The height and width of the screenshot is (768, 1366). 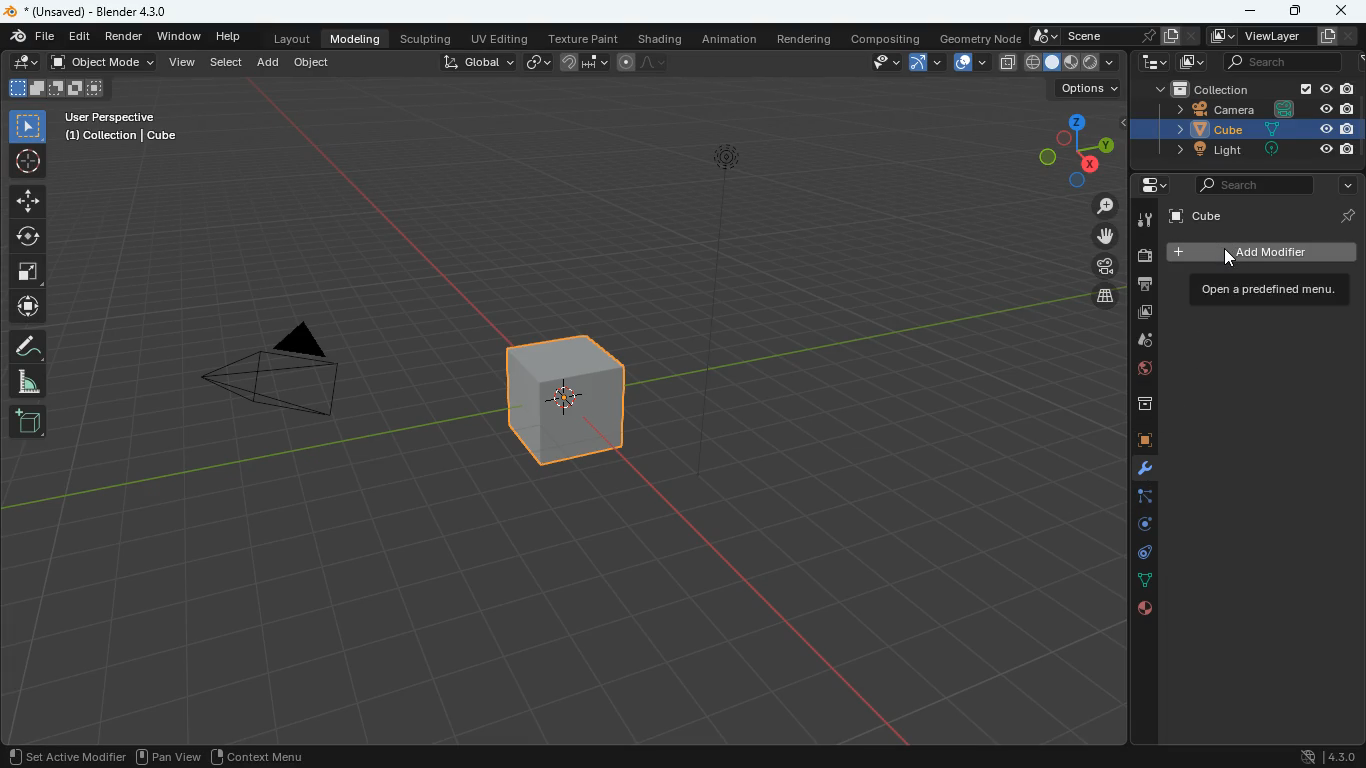 I want to click on zoom, so click(x=1102, y=206).